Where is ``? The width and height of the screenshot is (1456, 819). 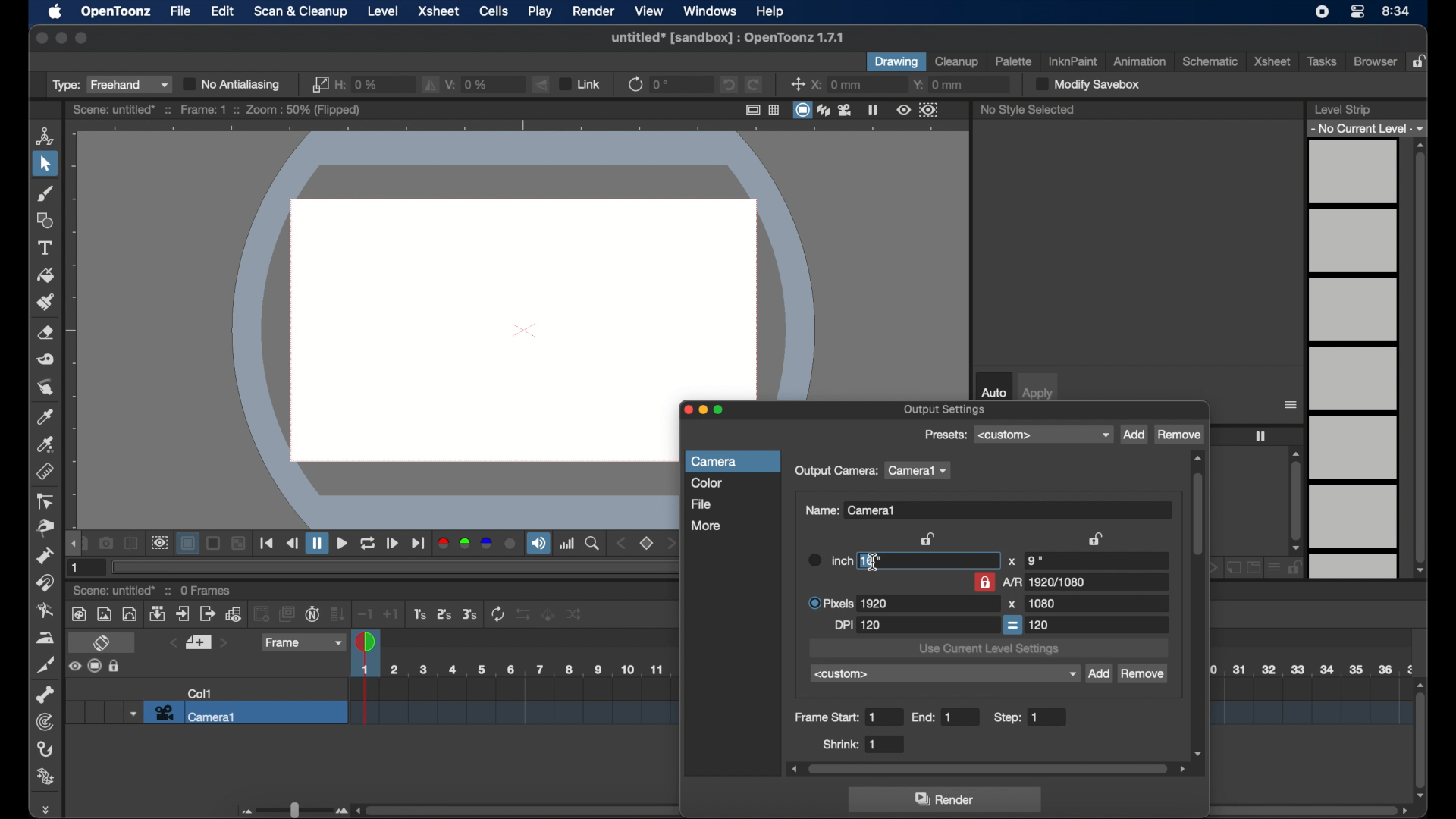
 is located at coordinates (1298, 567).